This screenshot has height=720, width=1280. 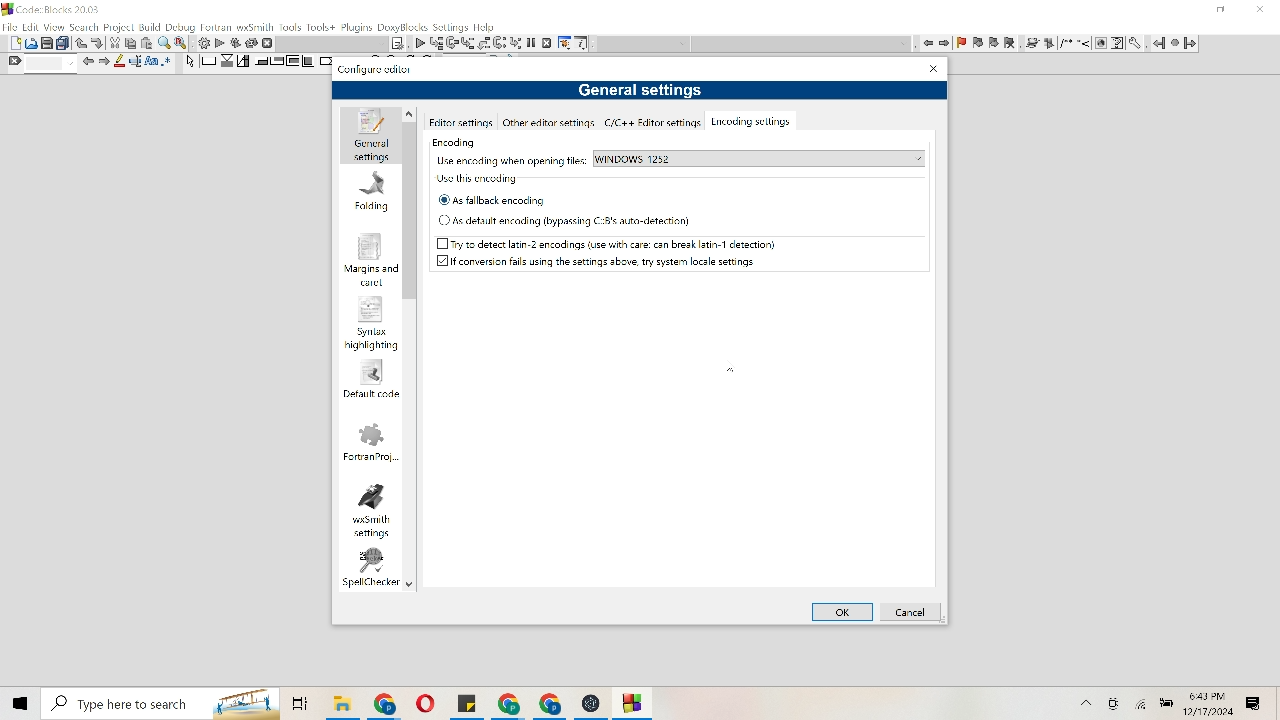 What do you see at coordinates (1254, 703) in the screenshot?
I see `Message` at bounding box center [1254, 703].